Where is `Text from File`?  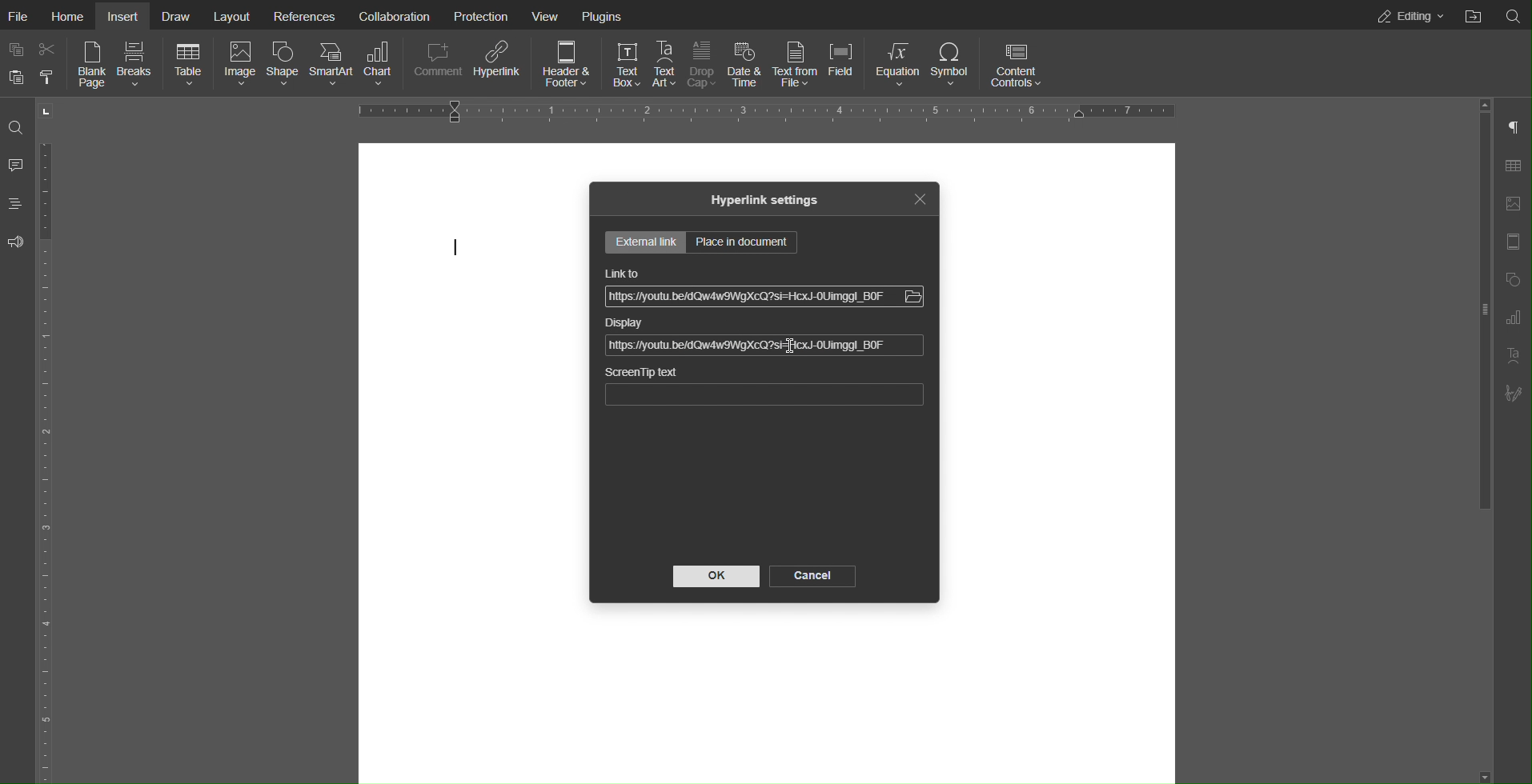 Text from File is located at coordinates (798, 66).